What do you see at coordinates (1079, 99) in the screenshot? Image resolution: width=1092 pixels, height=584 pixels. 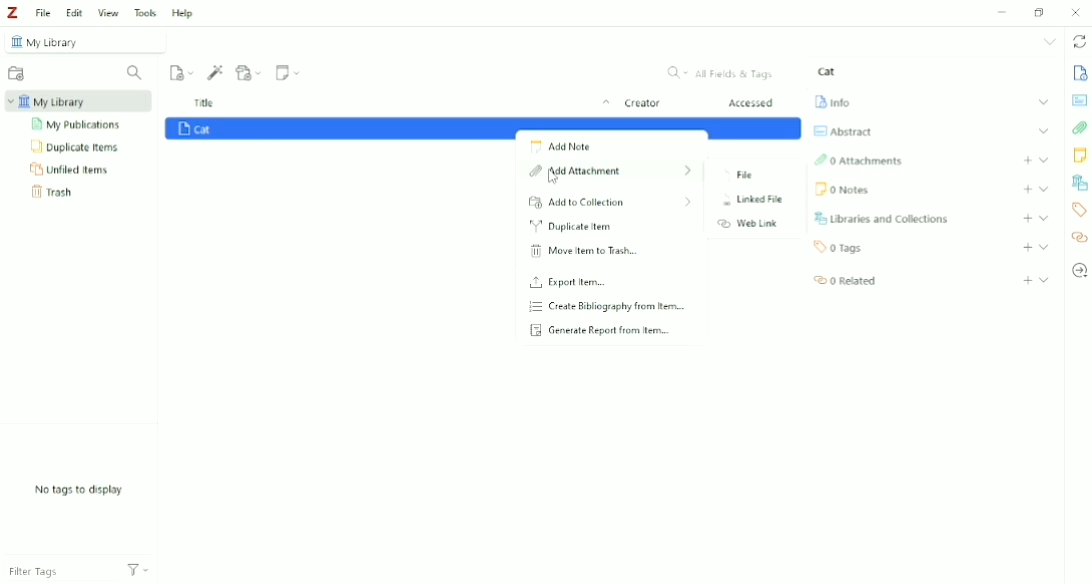 I see `Abstract` at bounding box center [1079, 99].